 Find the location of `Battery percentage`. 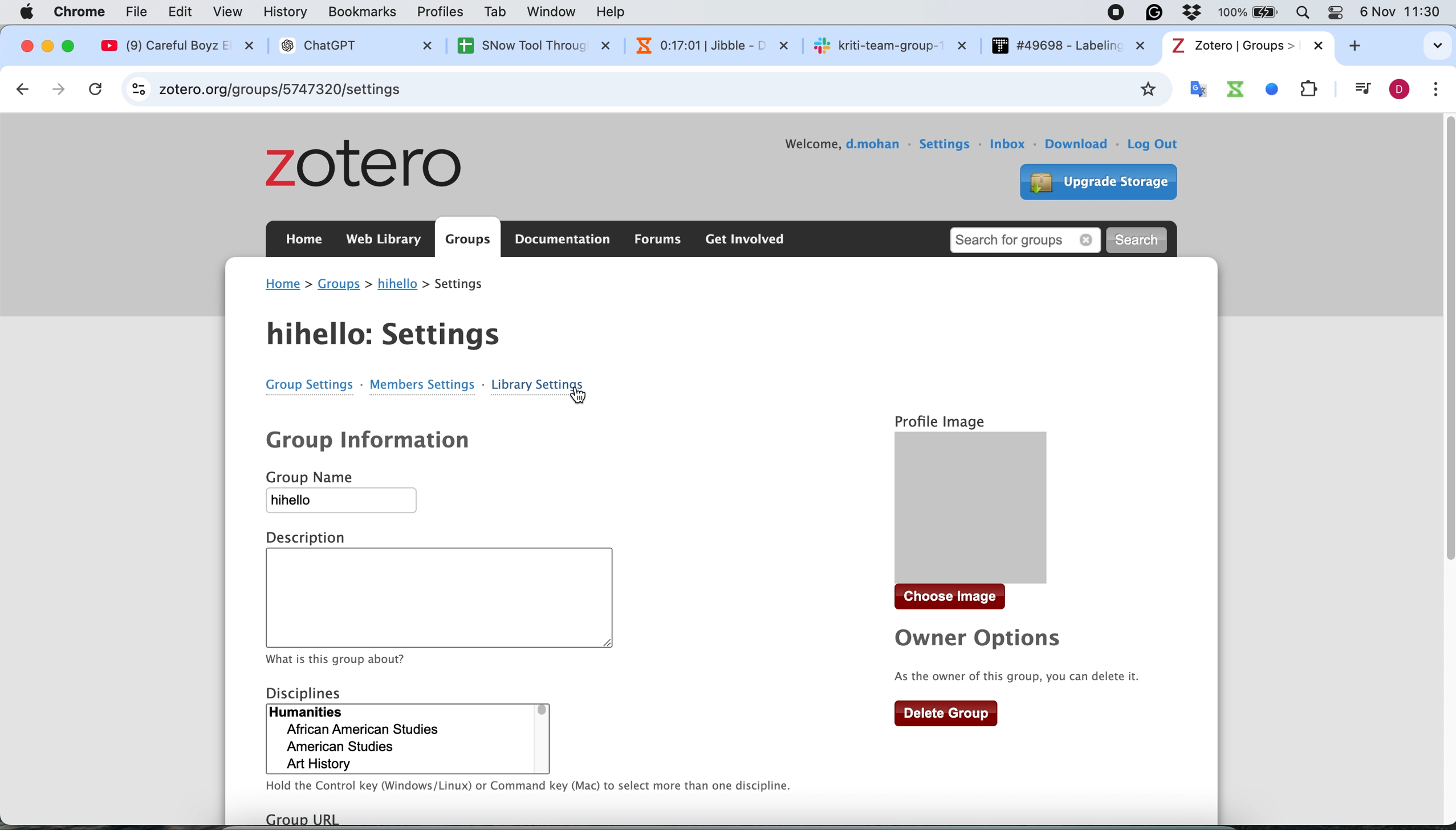

Battery percentage is located at coordinates (1250, 13).